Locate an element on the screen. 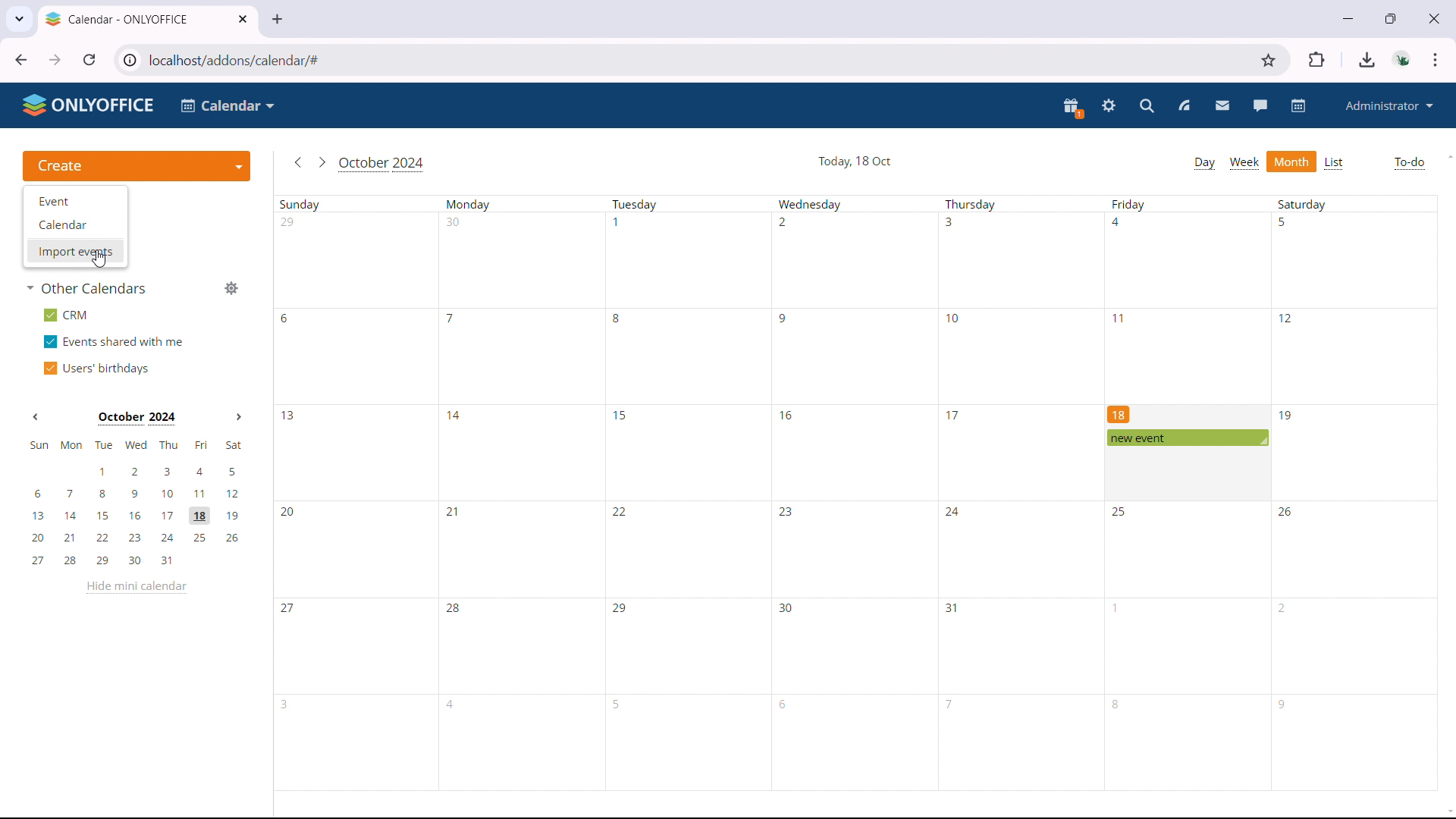 Image resolution: width=1456 pixels, height=819 pixels. 24 is located at coordinates (952, 513).